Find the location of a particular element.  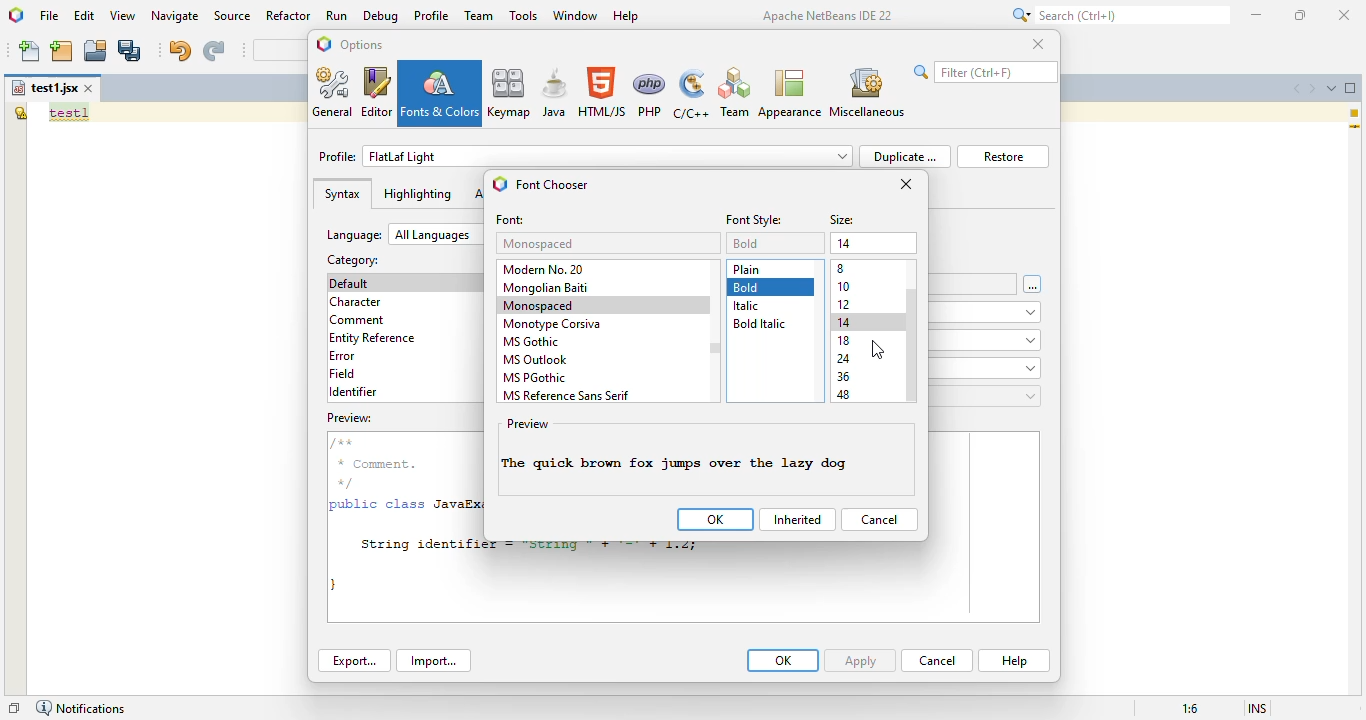

text is located at coordinates (69, 113).